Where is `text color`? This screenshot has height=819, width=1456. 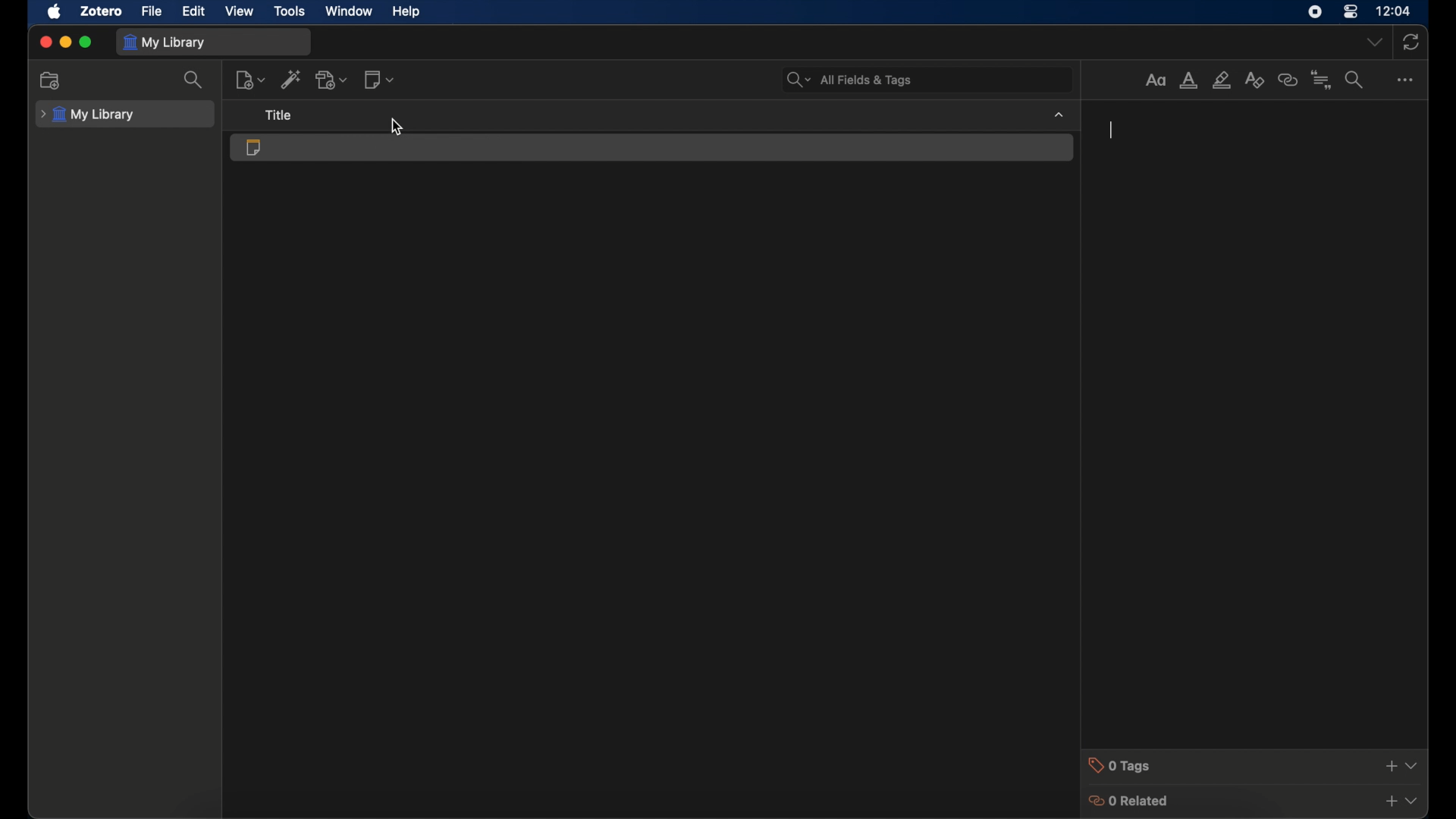
text color is located at coordinates (1188, 80).